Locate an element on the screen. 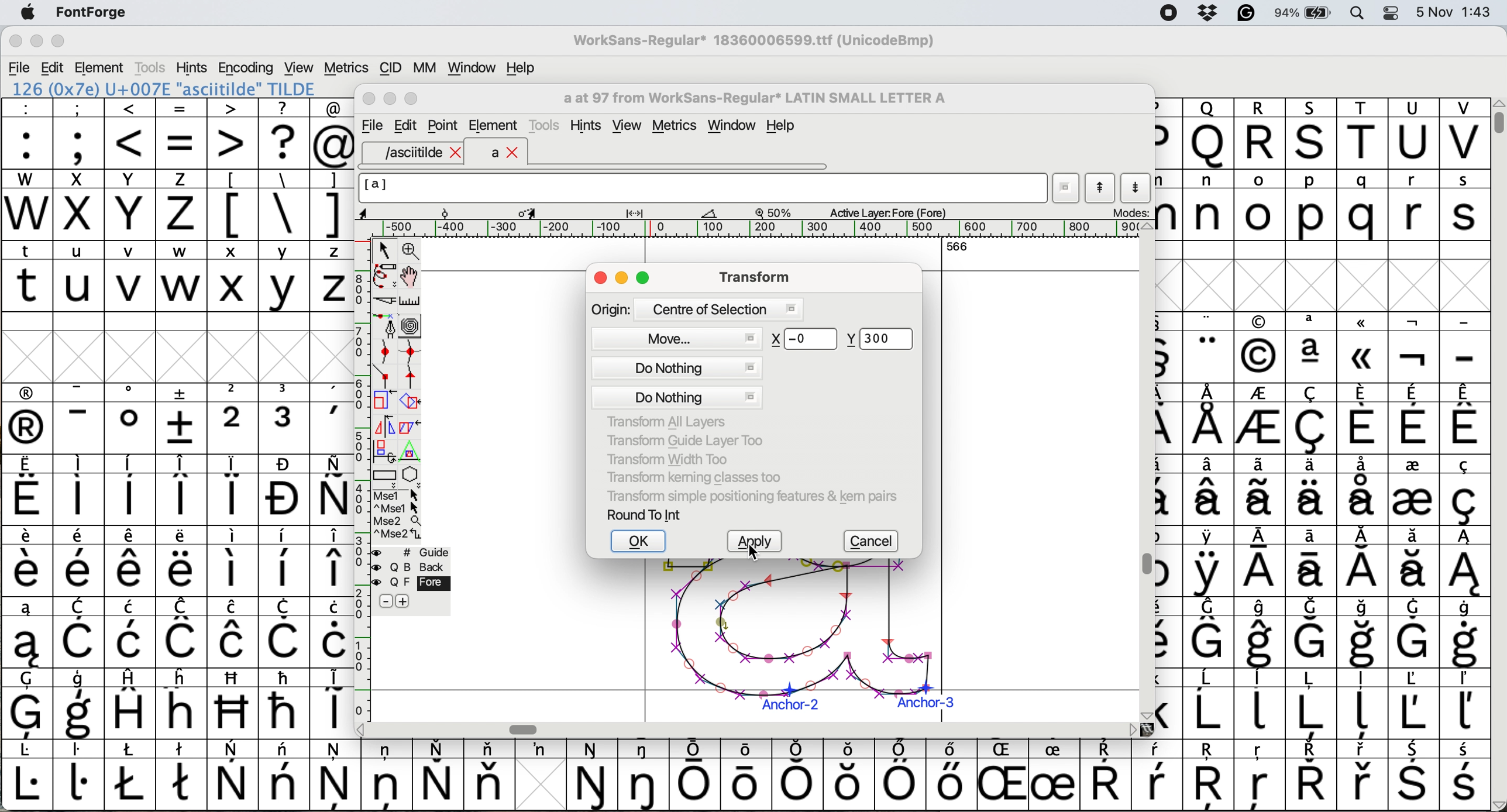 The width and height of the screenshot is (1507, 812). [ is located at coordinates (233, 205).